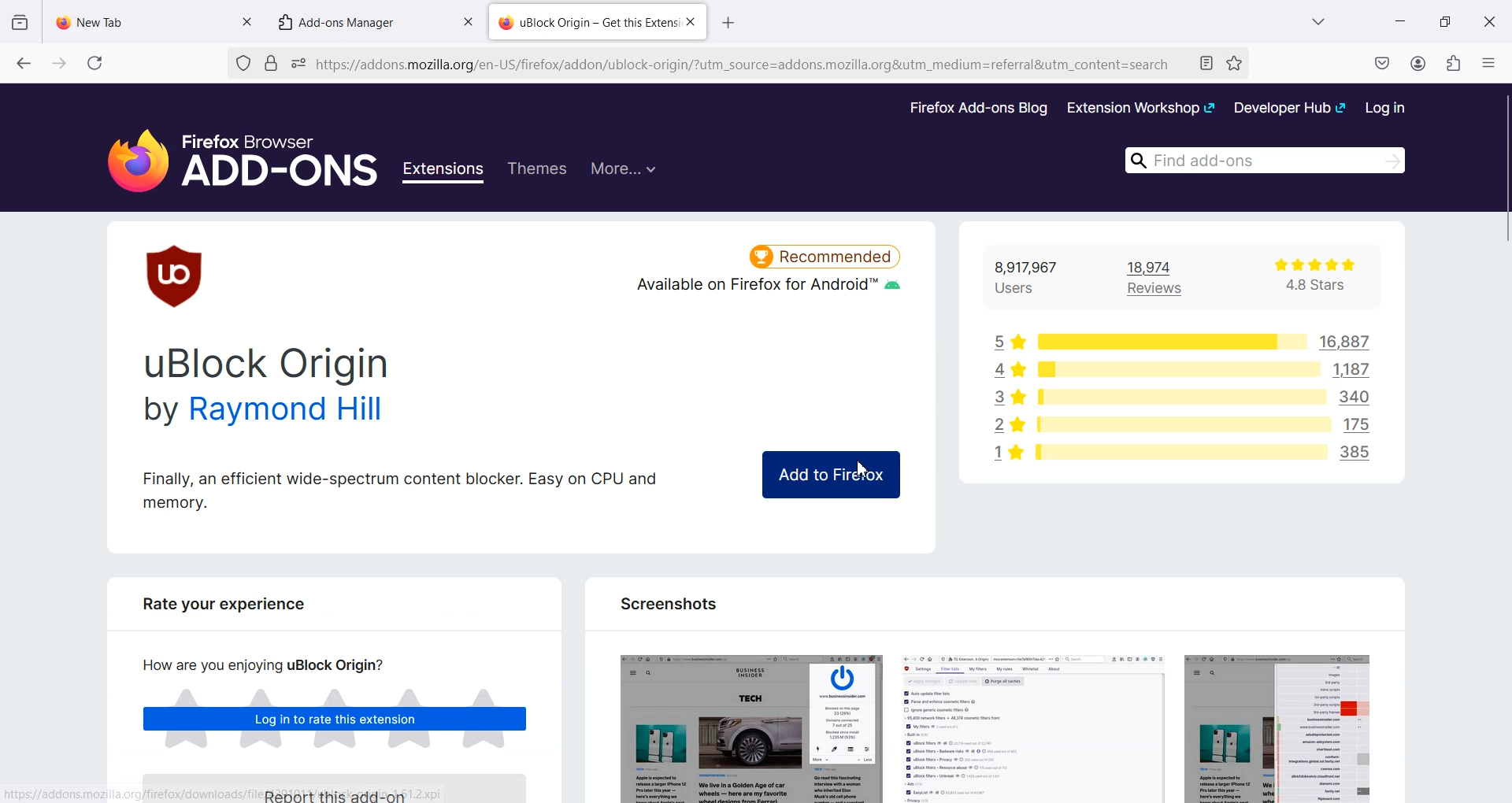 Image resolution: width=1512 pixels, height=803 pixels. What do you see at coordinates (1259, 159) in the screenshot?
I see `find add-ons` at bounding box center [1259, 159].